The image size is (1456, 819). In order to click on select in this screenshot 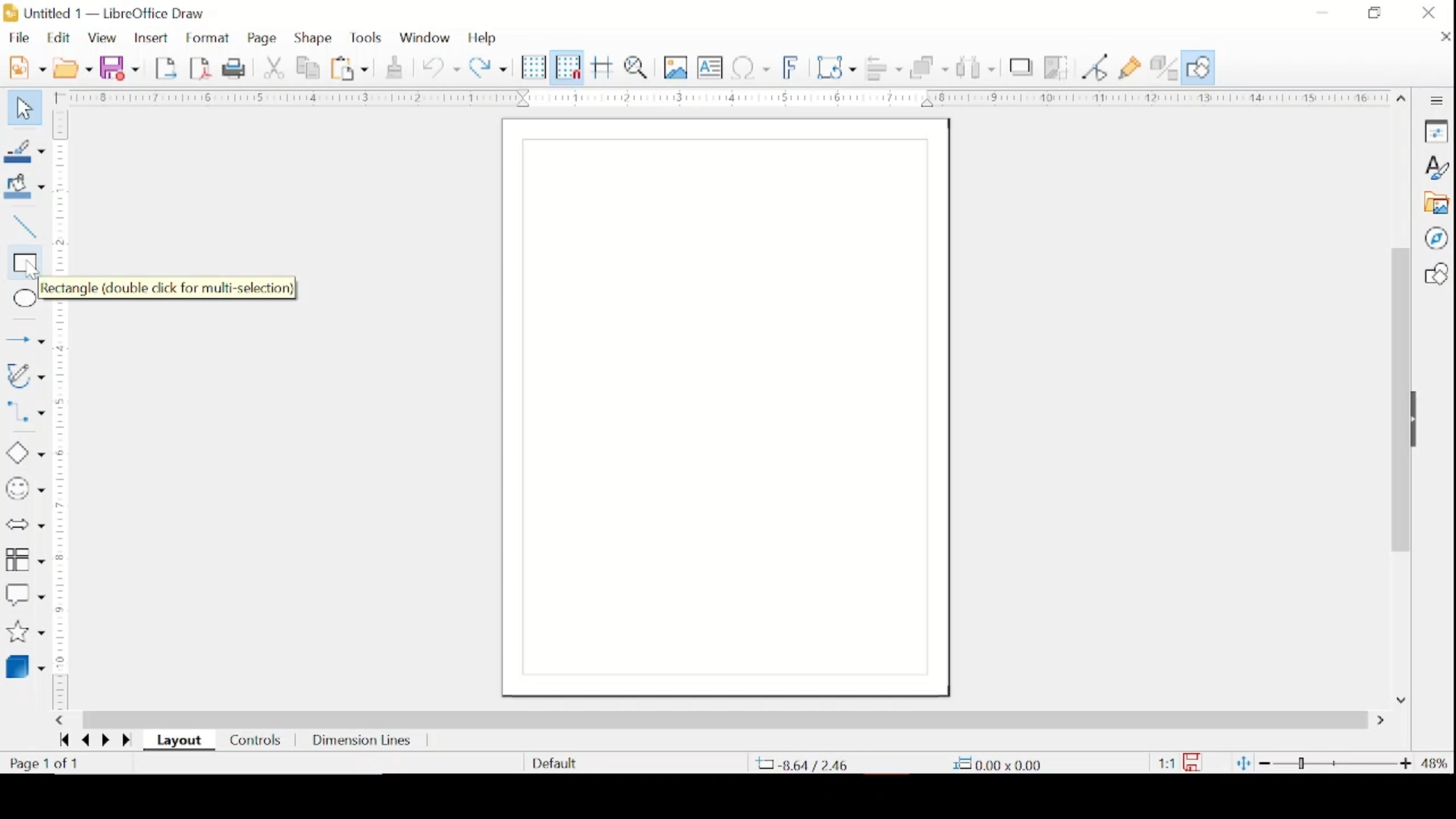, I will do `click(22, 109)`.